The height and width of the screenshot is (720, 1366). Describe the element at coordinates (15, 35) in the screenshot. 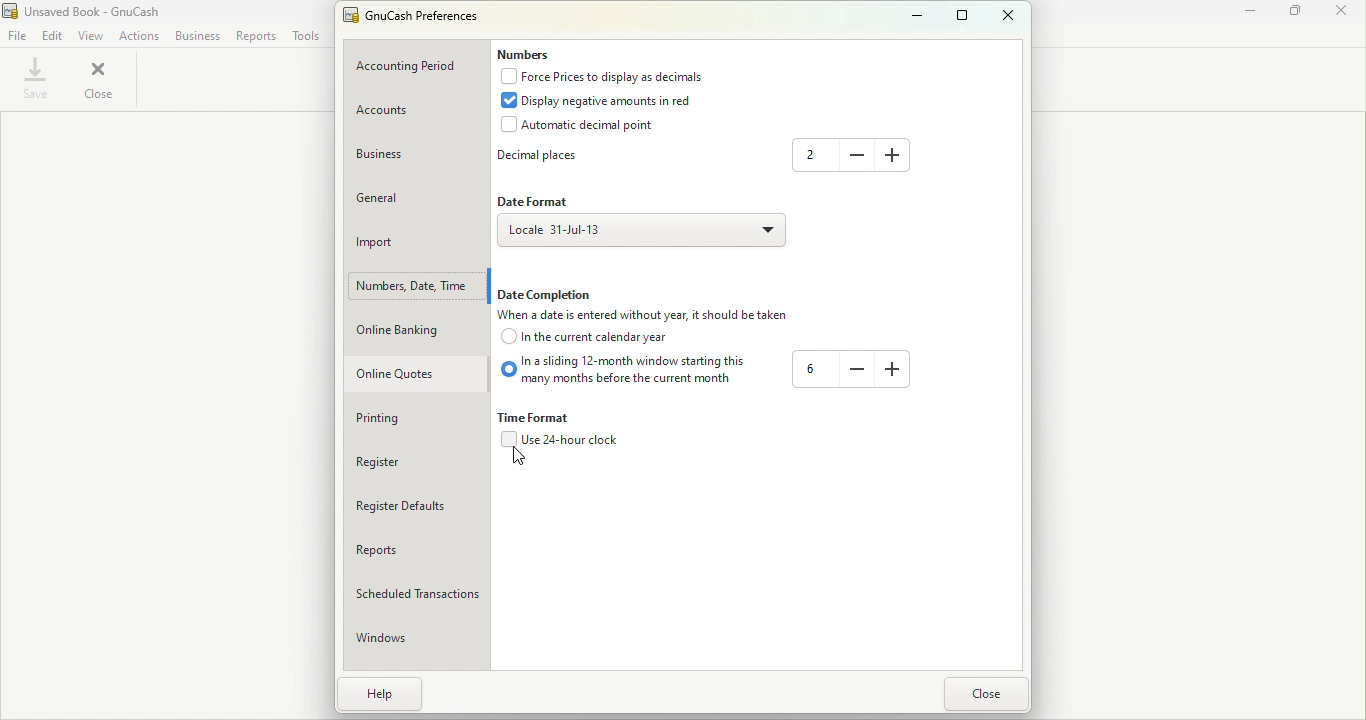

I see `File` at that location.